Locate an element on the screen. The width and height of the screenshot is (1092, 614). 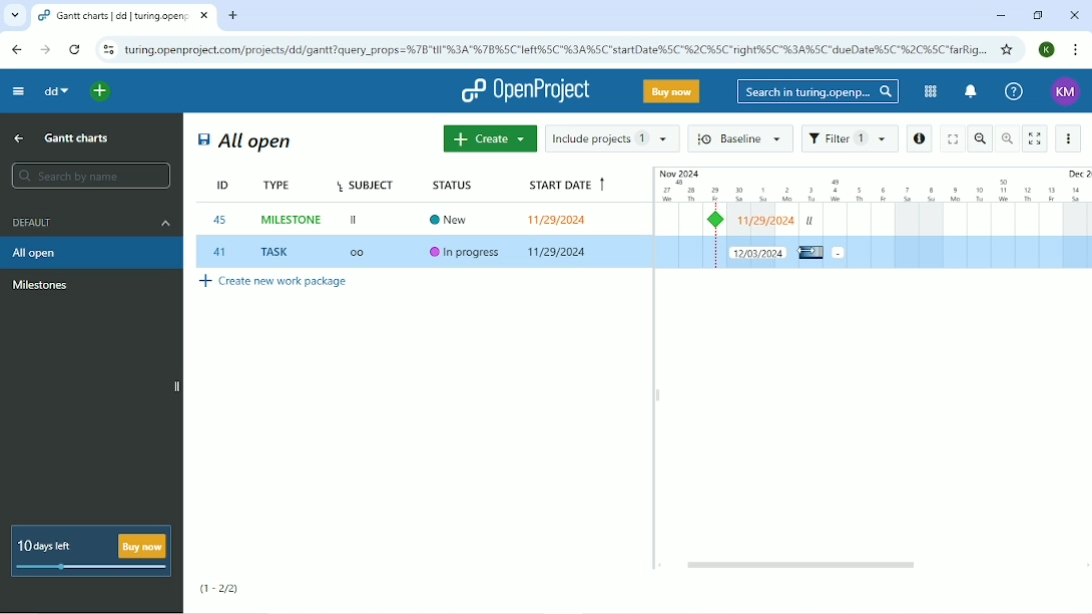
Search by name is located at coordinates (89, 175).